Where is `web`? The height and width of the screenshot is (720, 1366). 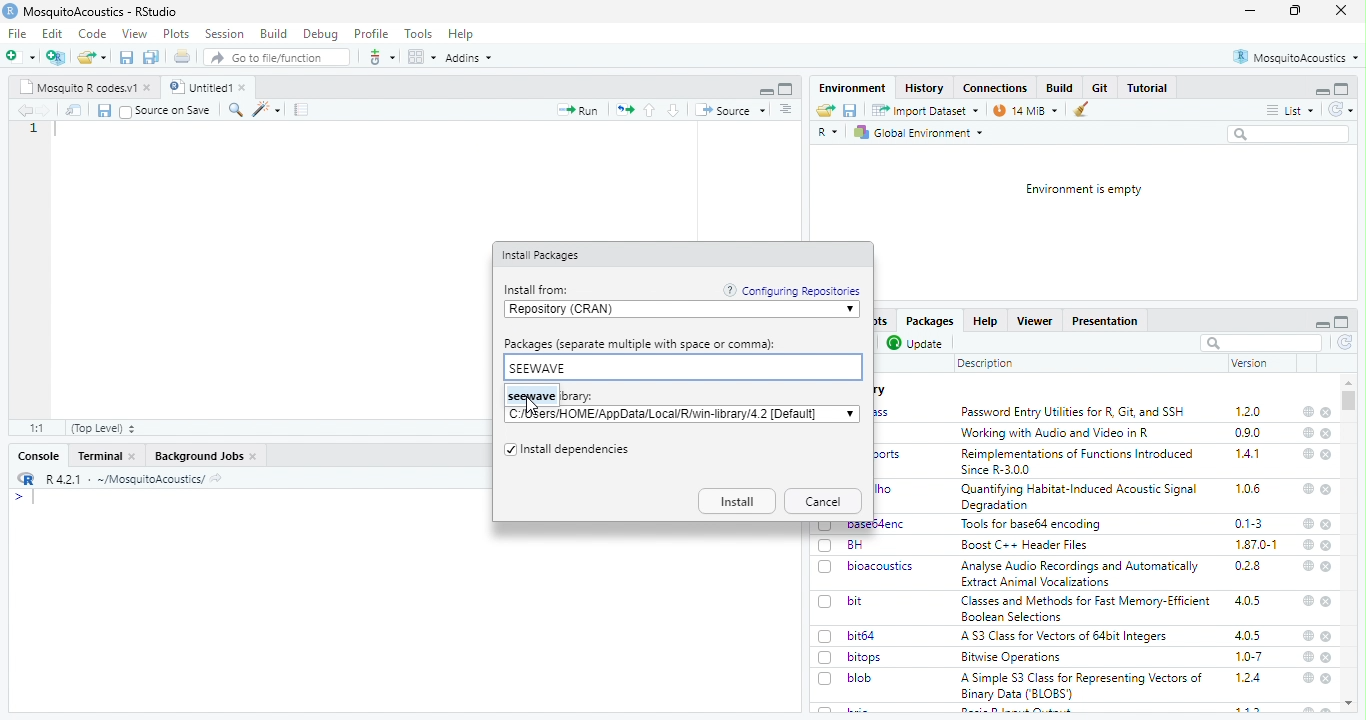
web is located at coordinates (1310, 657).